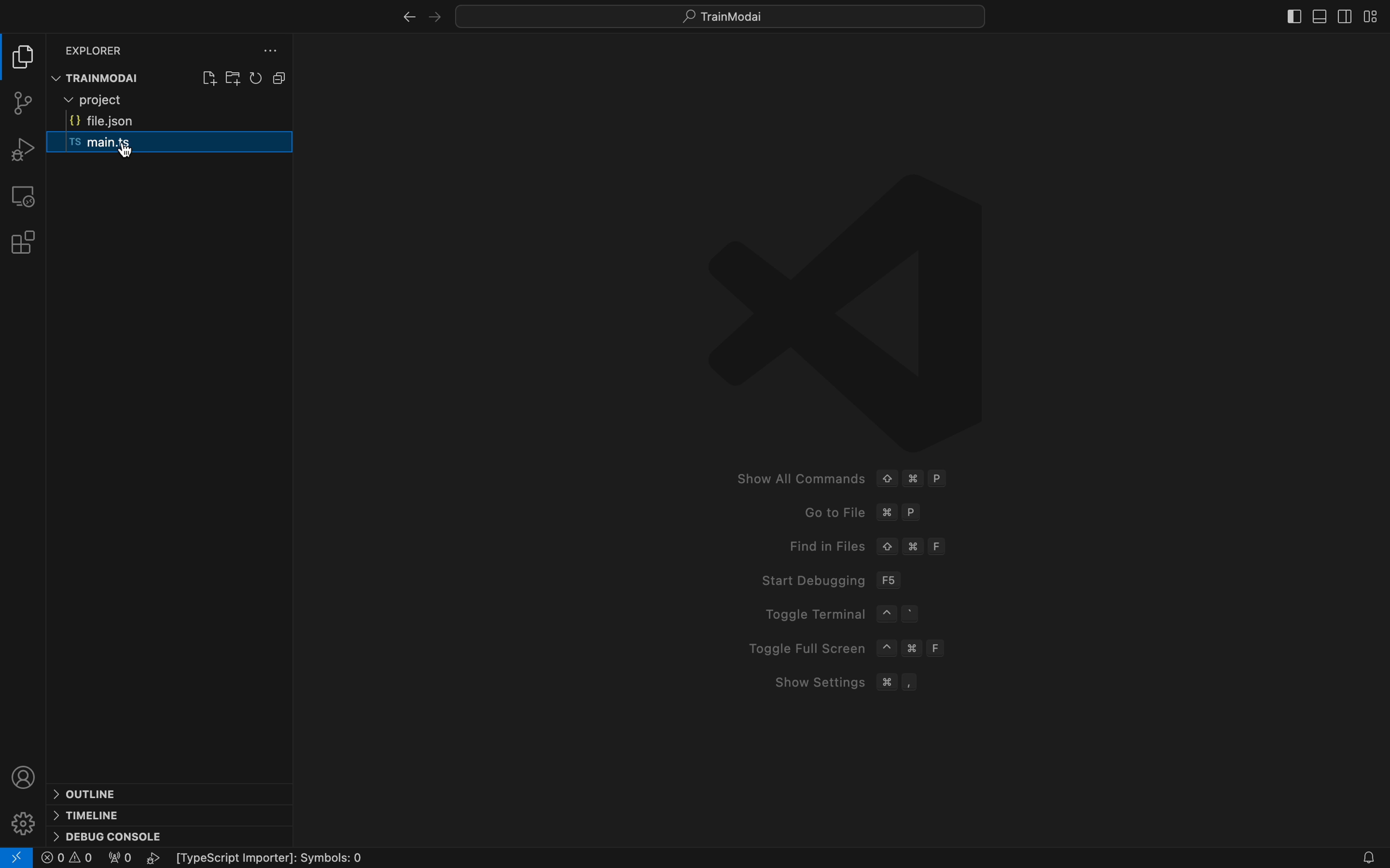 This screenshot has width=1390, height=868. I want to click on Toggle Terminal ~ °, so click(832, 615).